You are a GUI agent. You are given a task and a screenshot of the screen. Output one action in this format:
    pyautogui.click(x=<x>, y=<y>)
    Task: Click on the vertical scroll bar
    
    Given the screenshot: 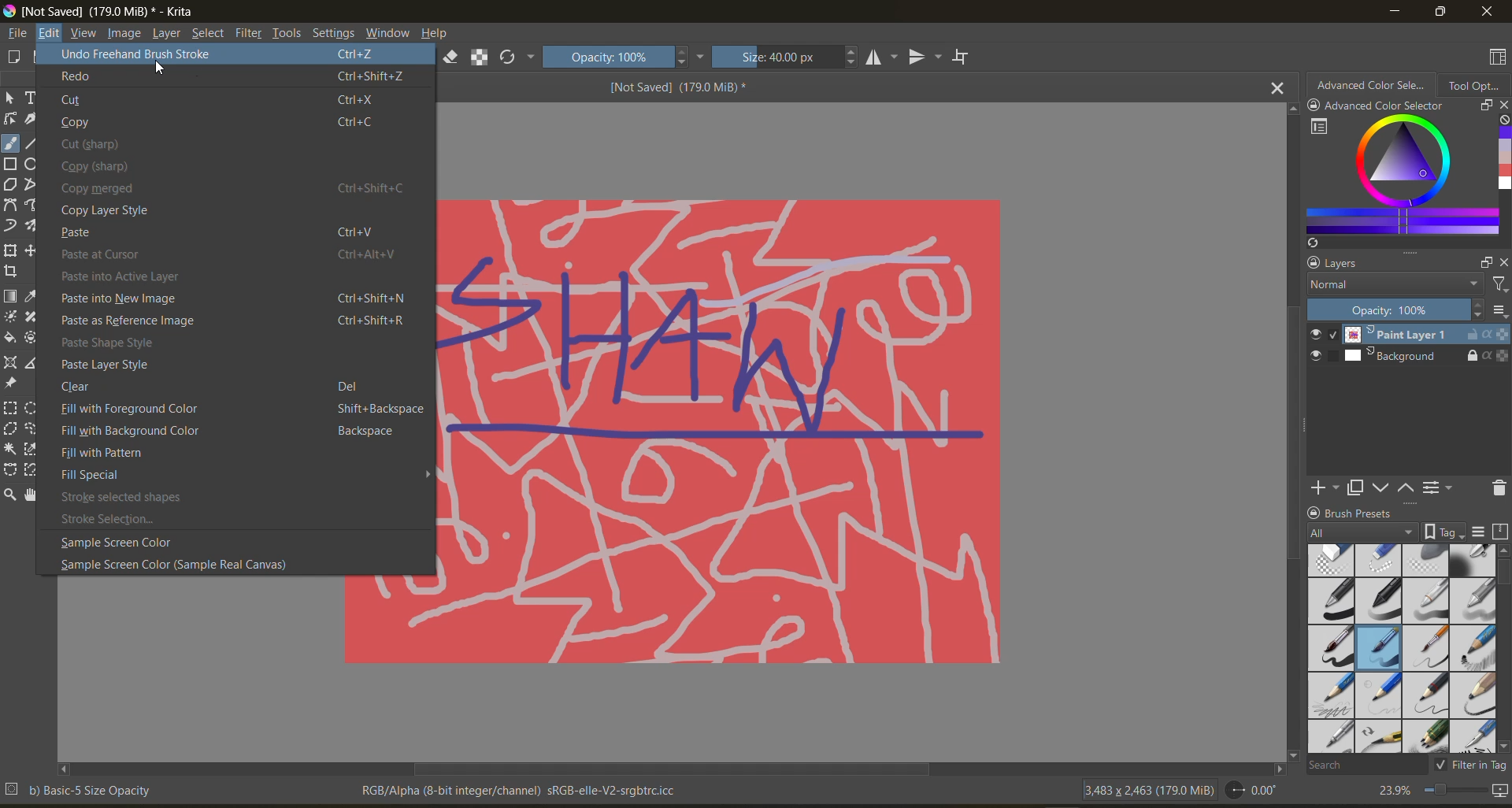 What is the action you would take?
    pyautogui.click(x=1285, y=432)
    